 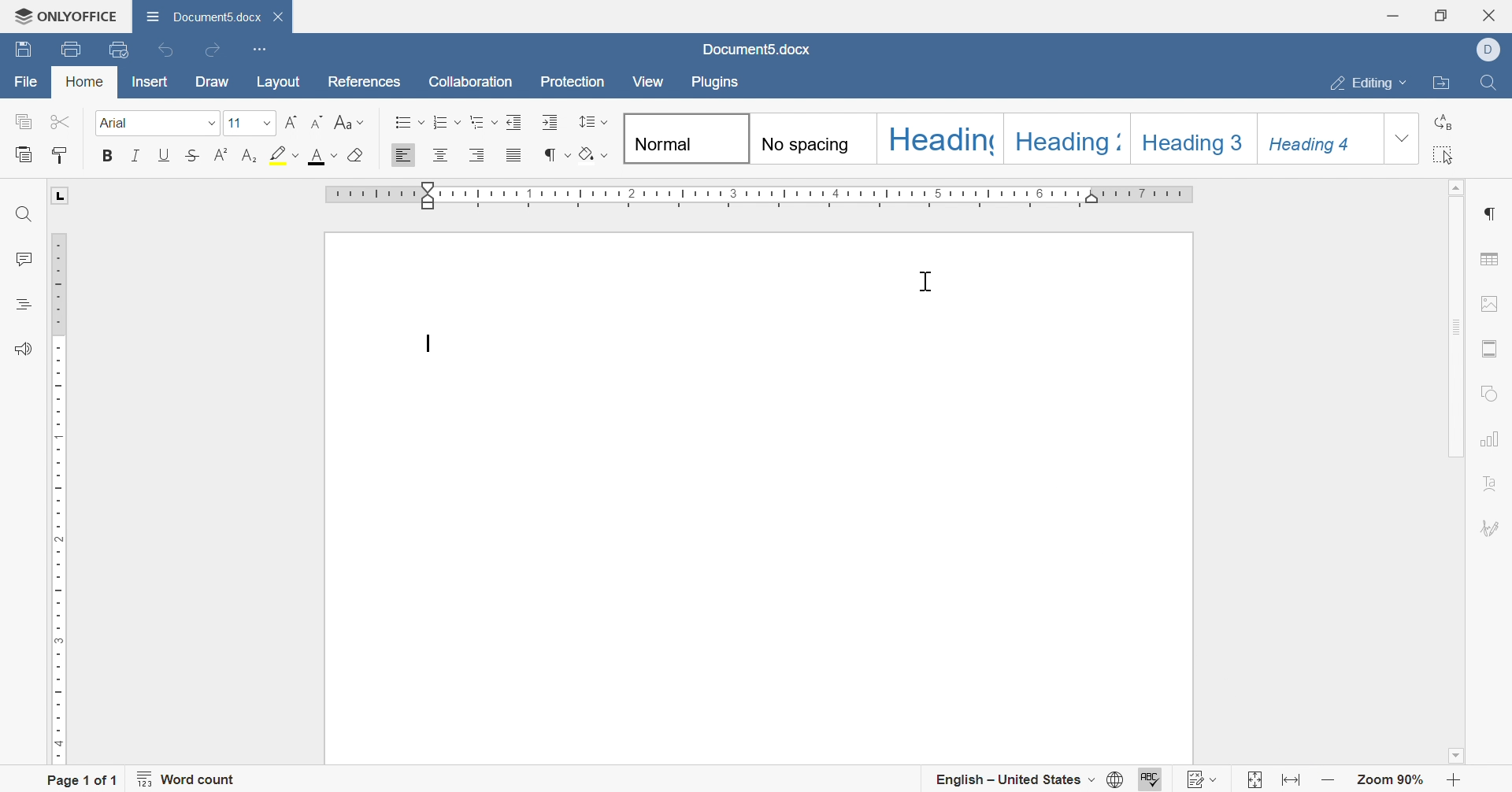 What do you see at coordinates (1012, 781) in the screenshot?
I see `english - united states` at bounding box center [1012, 781].